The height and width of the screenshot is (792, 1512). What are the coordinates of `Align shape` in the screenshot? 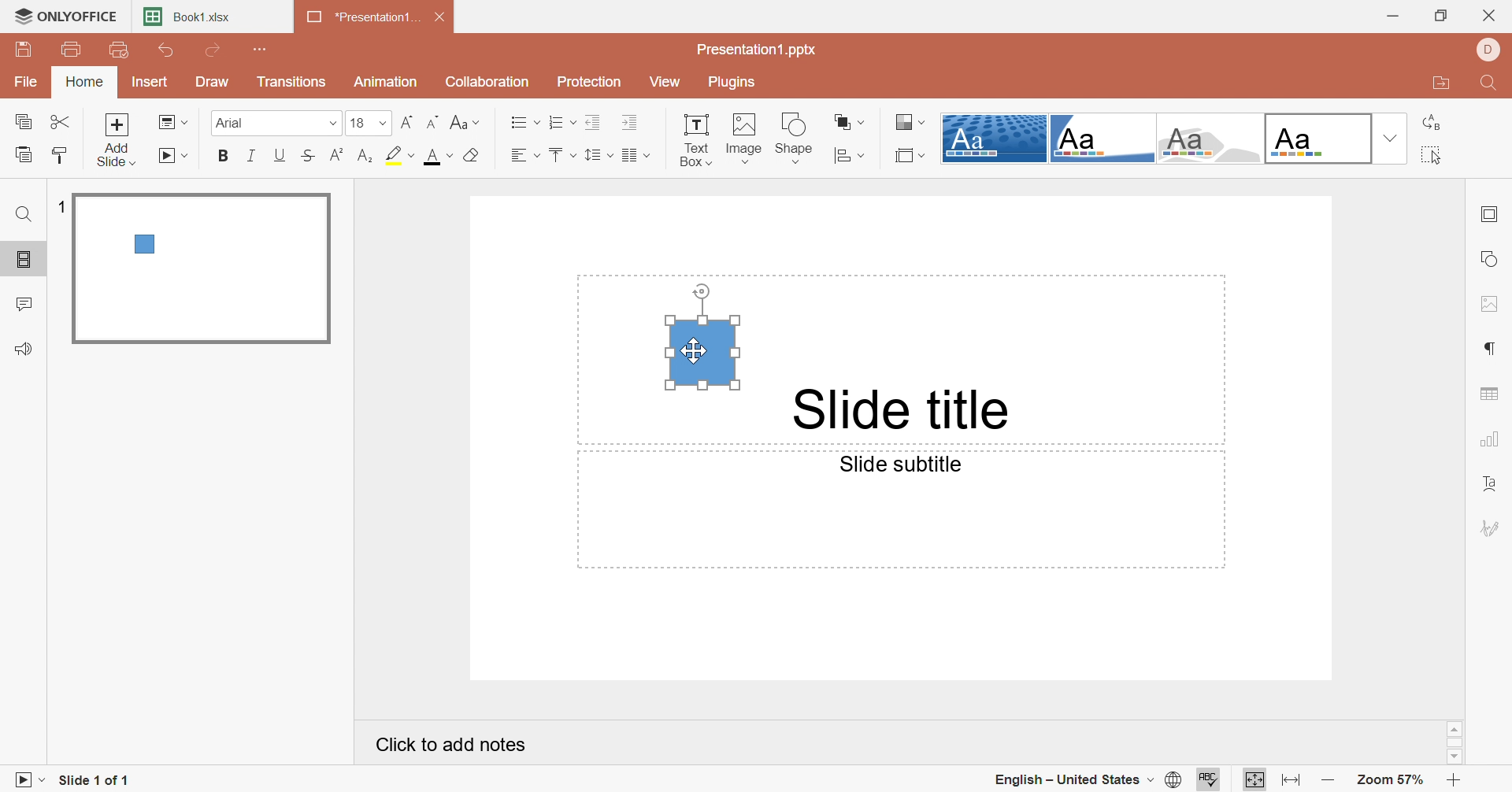 It's located at (850, 156).